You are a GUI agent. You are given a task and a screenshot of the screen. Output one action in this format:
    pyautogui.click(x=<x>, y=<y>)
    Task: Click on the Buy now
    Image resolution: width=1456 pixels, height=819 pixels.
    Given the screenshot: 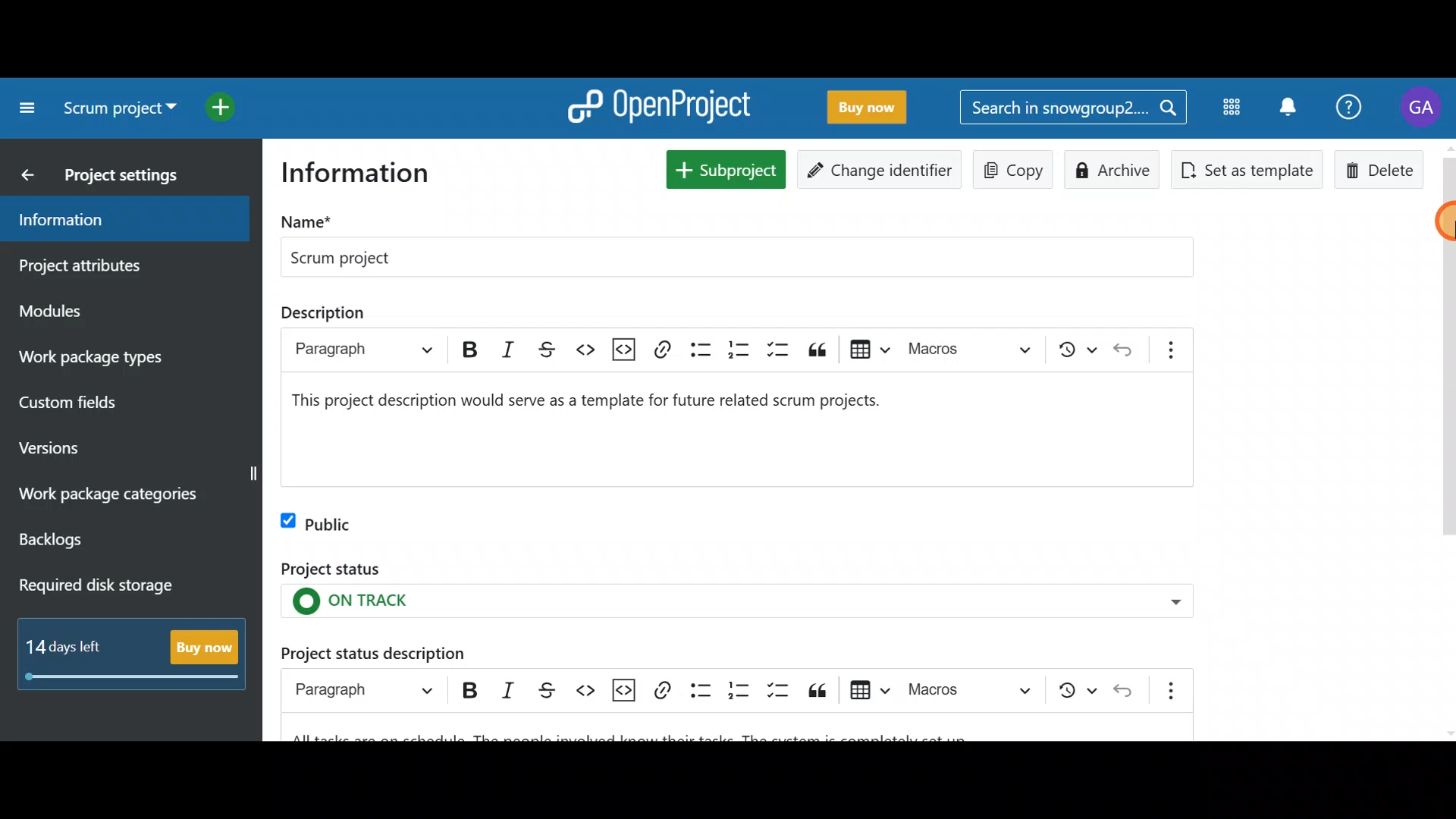 What is the action you would take?
    pyautogui.click(x=877, y=108)
    